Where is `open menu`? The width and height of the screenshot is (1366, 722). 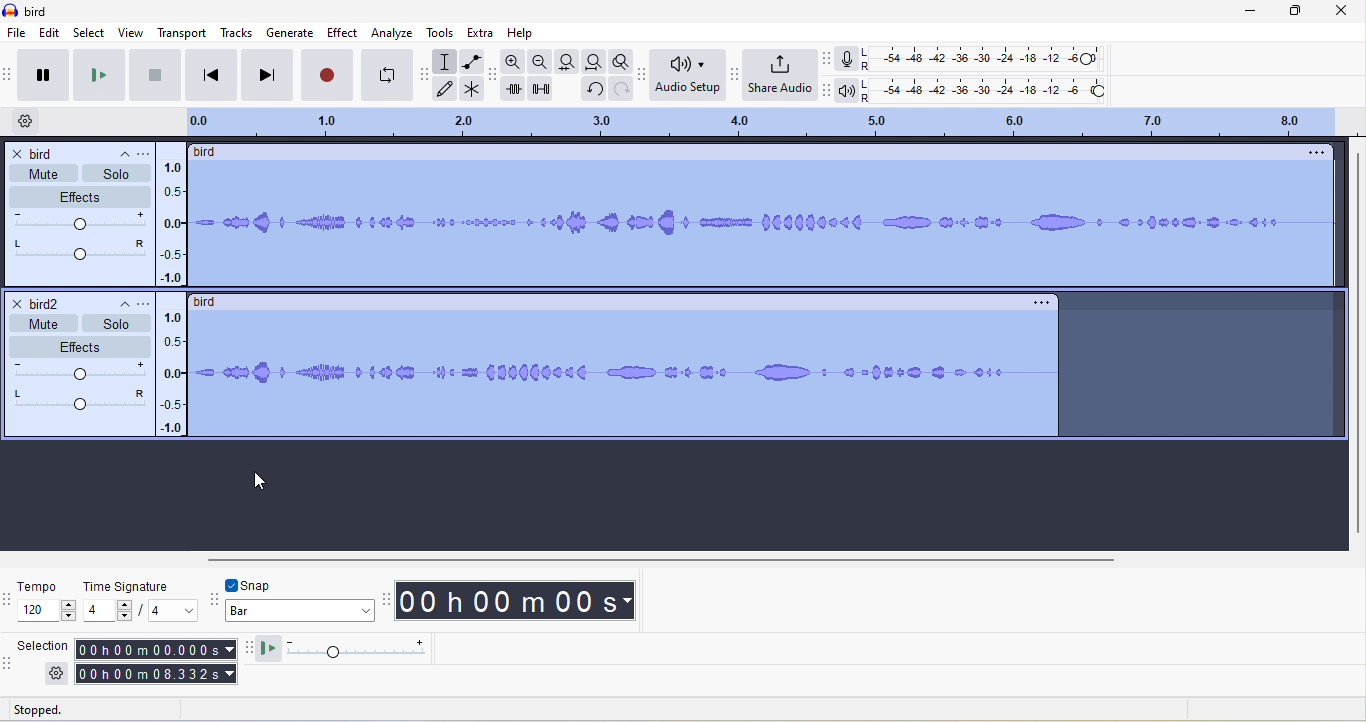 open menu is located at coordinates (142, 302).